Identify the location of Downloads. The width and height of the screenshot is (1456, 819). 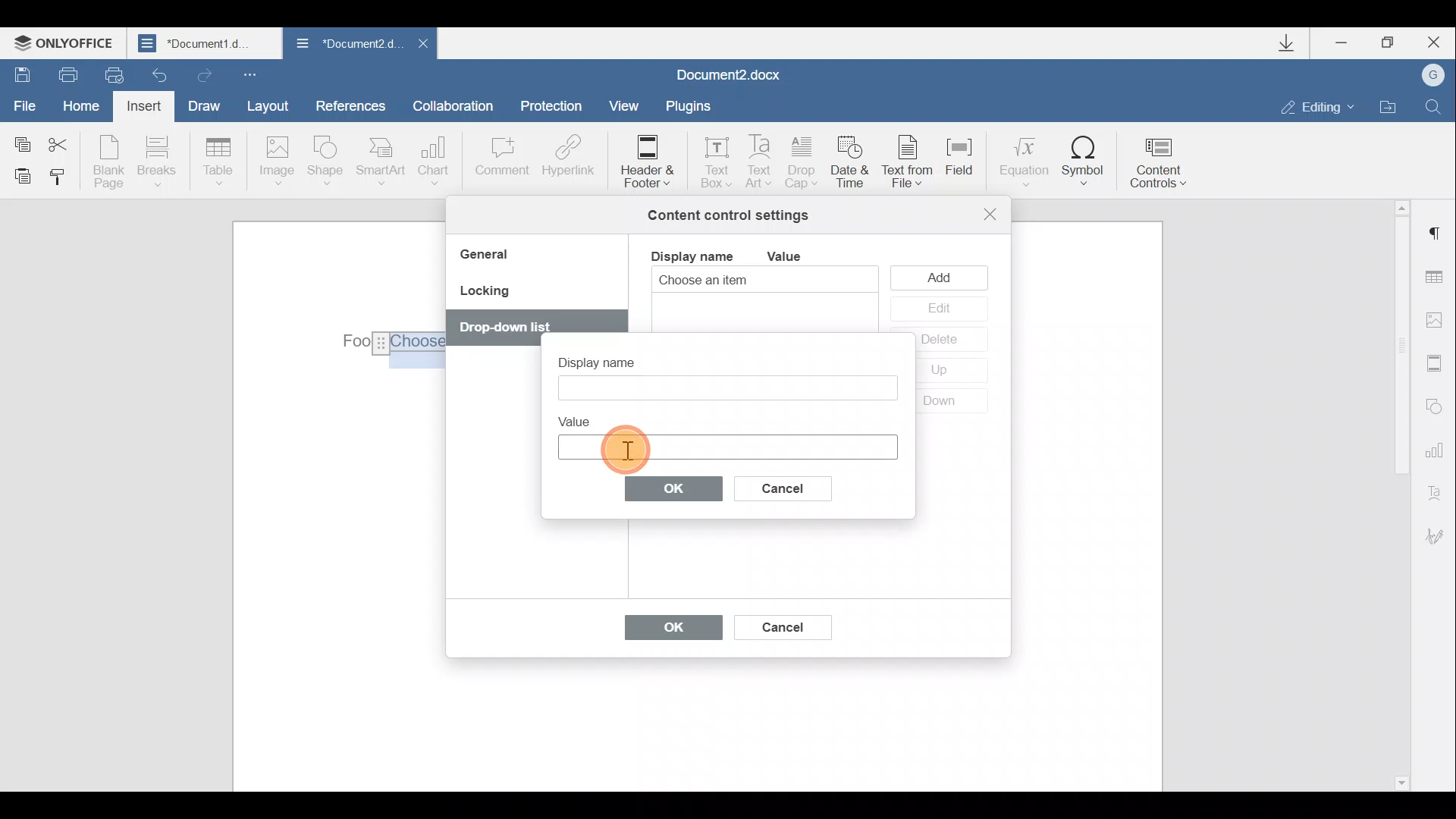
(1292, 43).